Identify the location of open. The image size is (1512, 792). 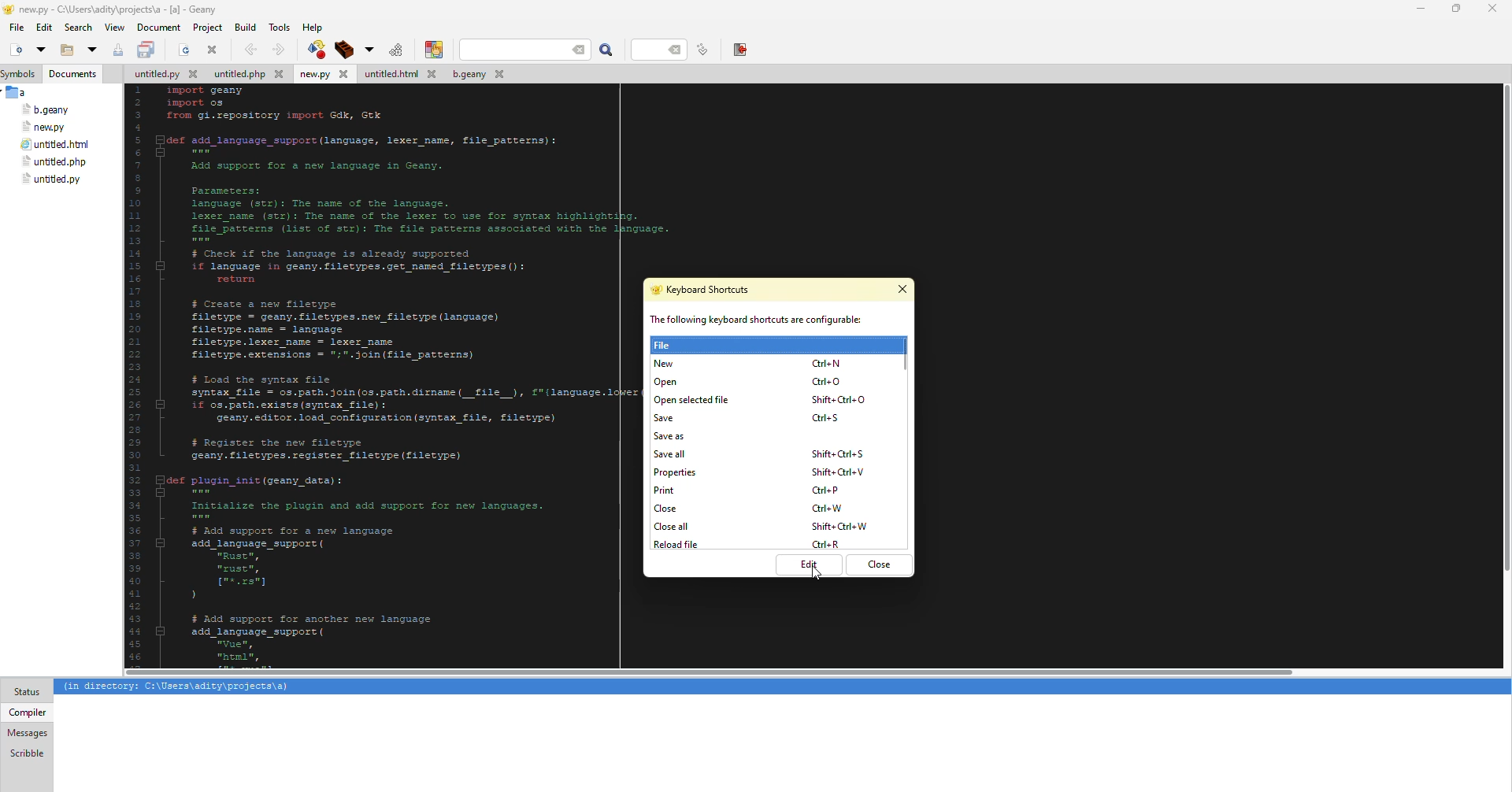
(39, 49).